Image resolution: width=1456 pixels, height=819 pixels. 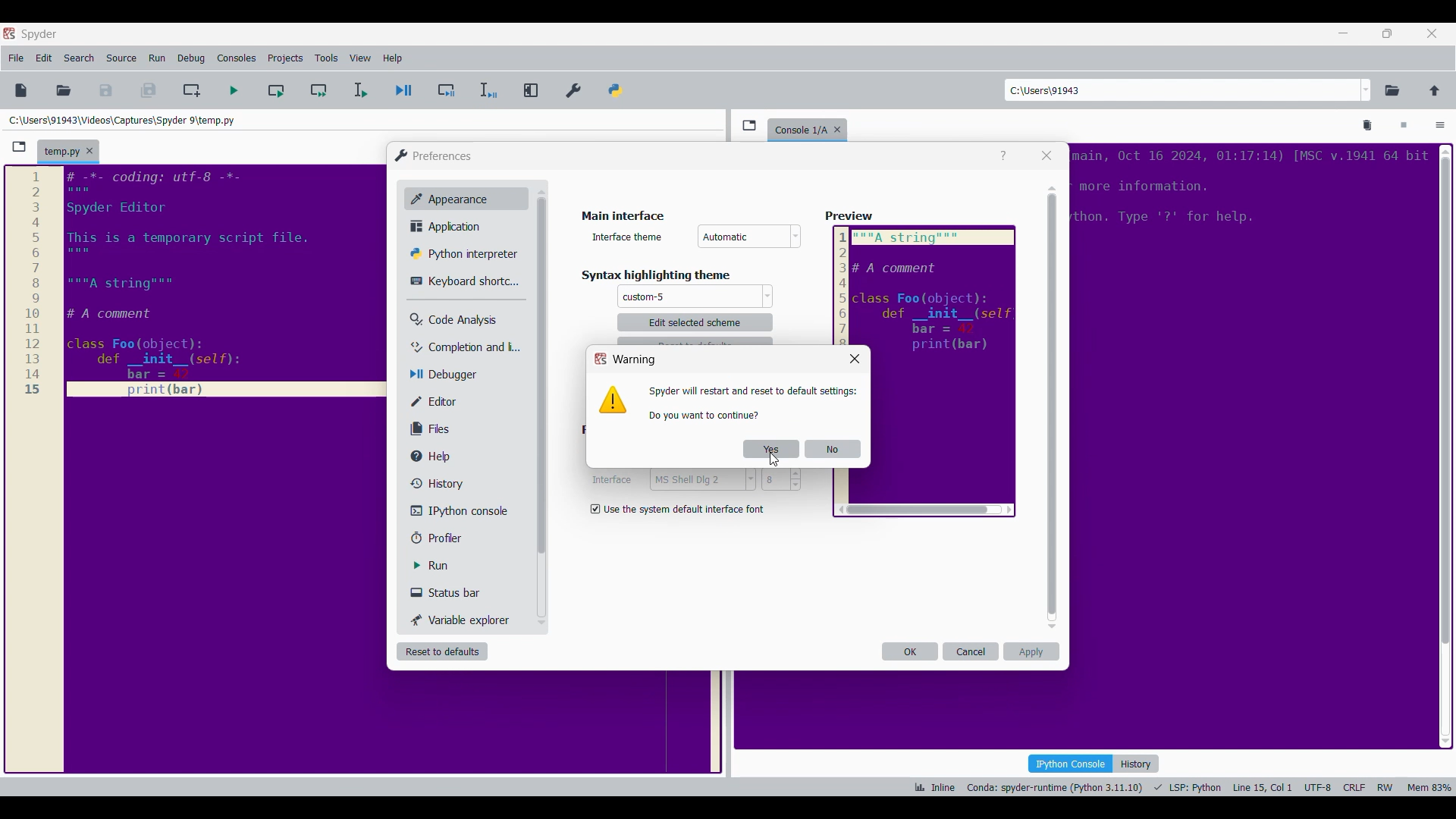 What do you see at coordinates (61, 152) in the screenshot?
I see `Current tab` at bounding box center [61, 152].